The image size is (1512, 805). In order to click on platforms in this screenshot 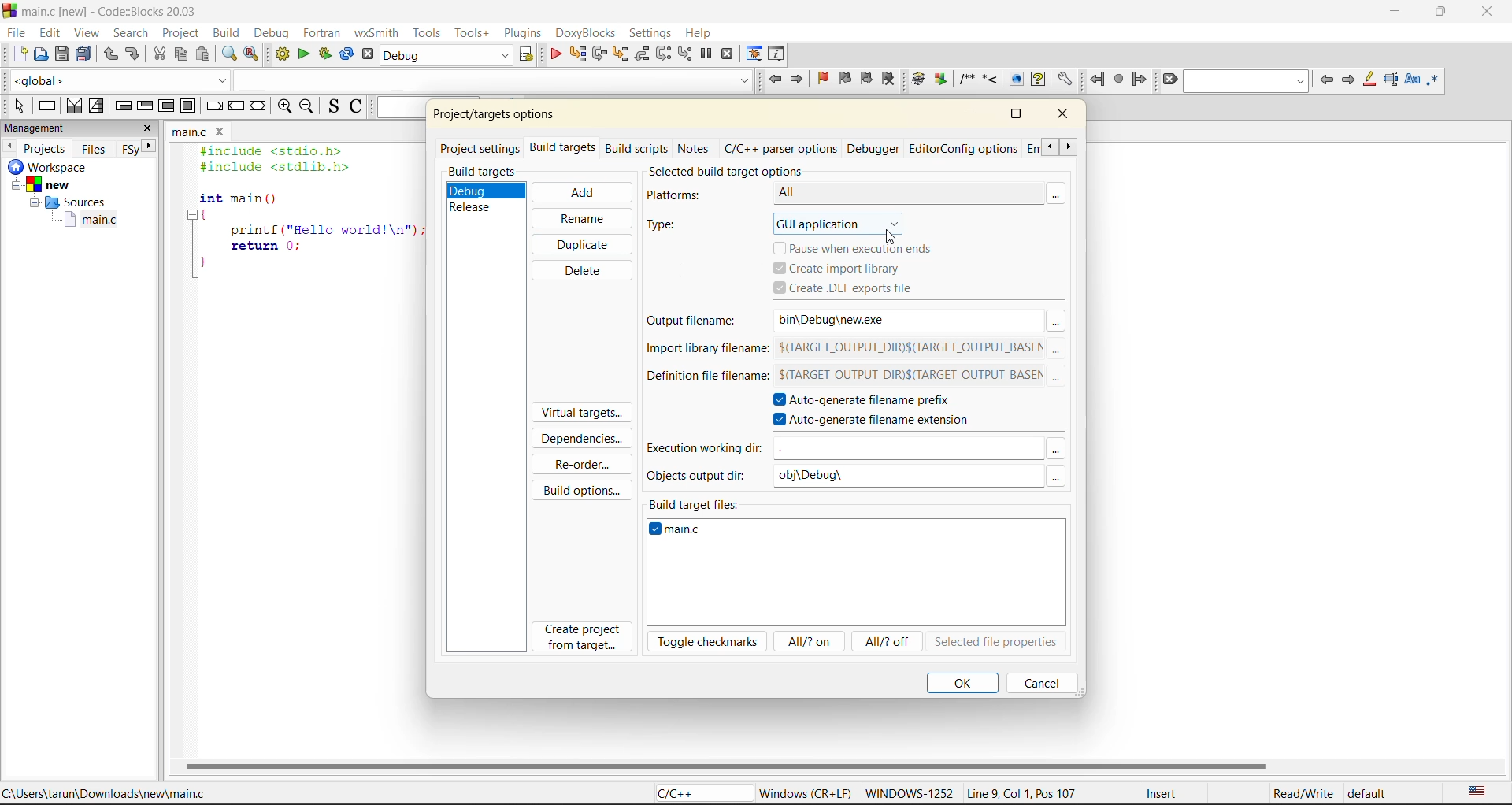, I will do `click(683, 196)`.